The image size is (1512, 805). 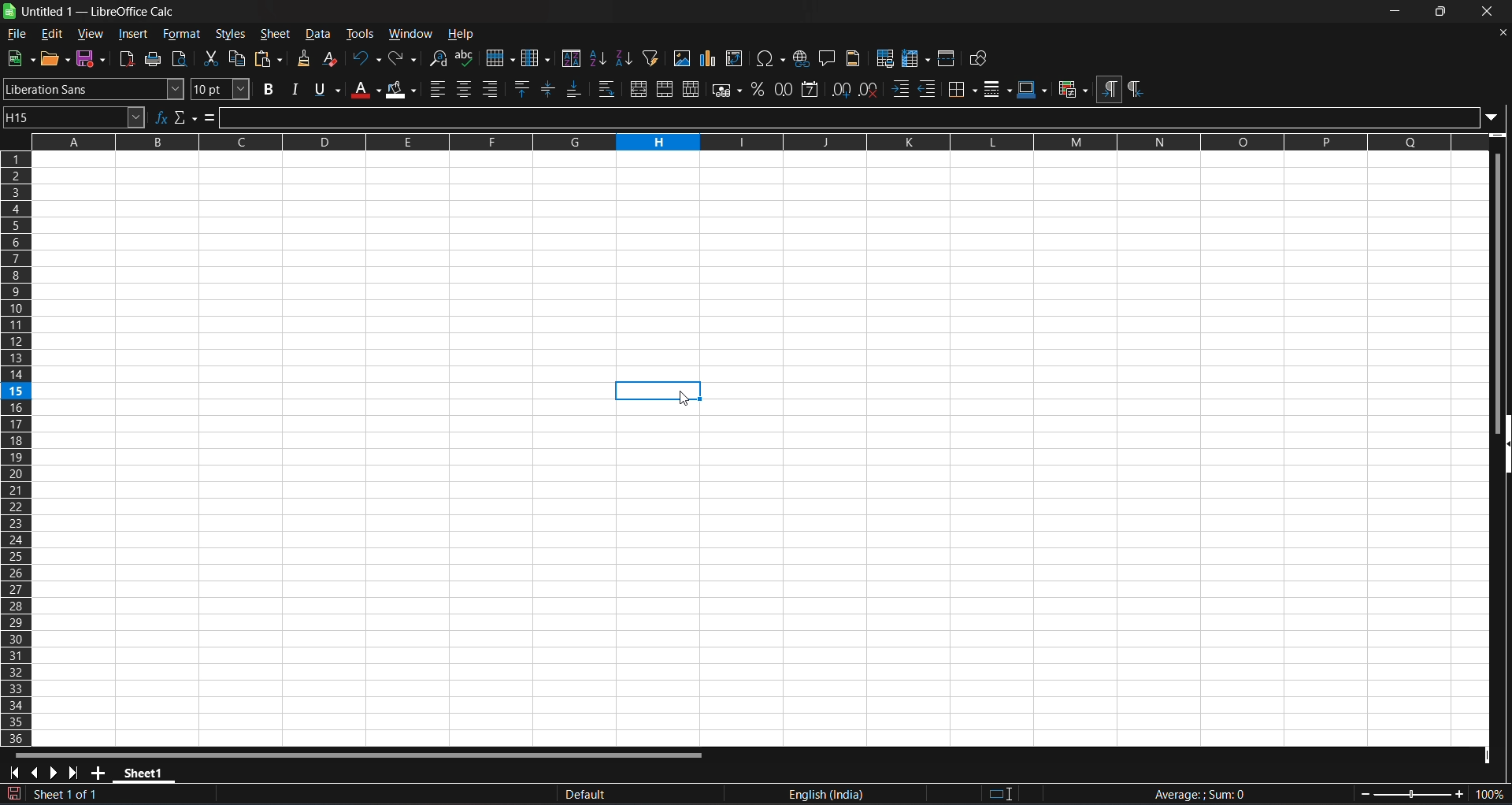 What do you see at coordinates (829, 58) in the screenshot?
I see `insert comment` at bounding box center [829, 58].